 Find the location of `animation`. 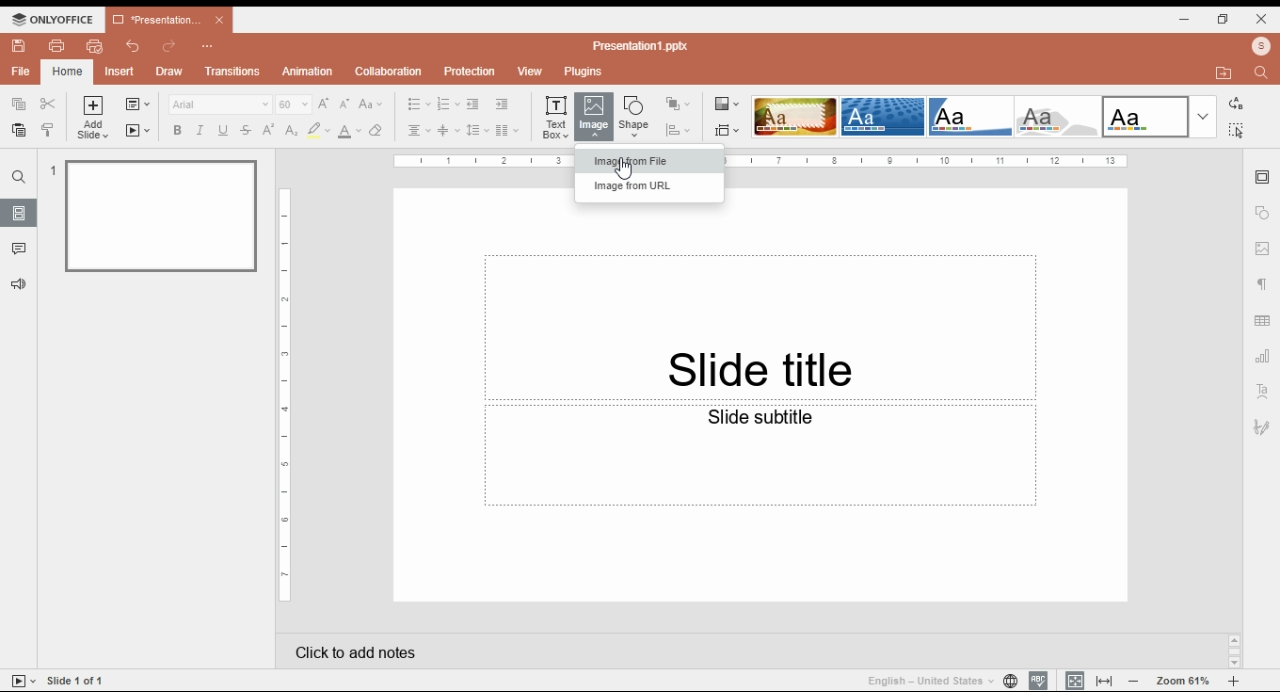

animation is located at coordinates (309, 71).